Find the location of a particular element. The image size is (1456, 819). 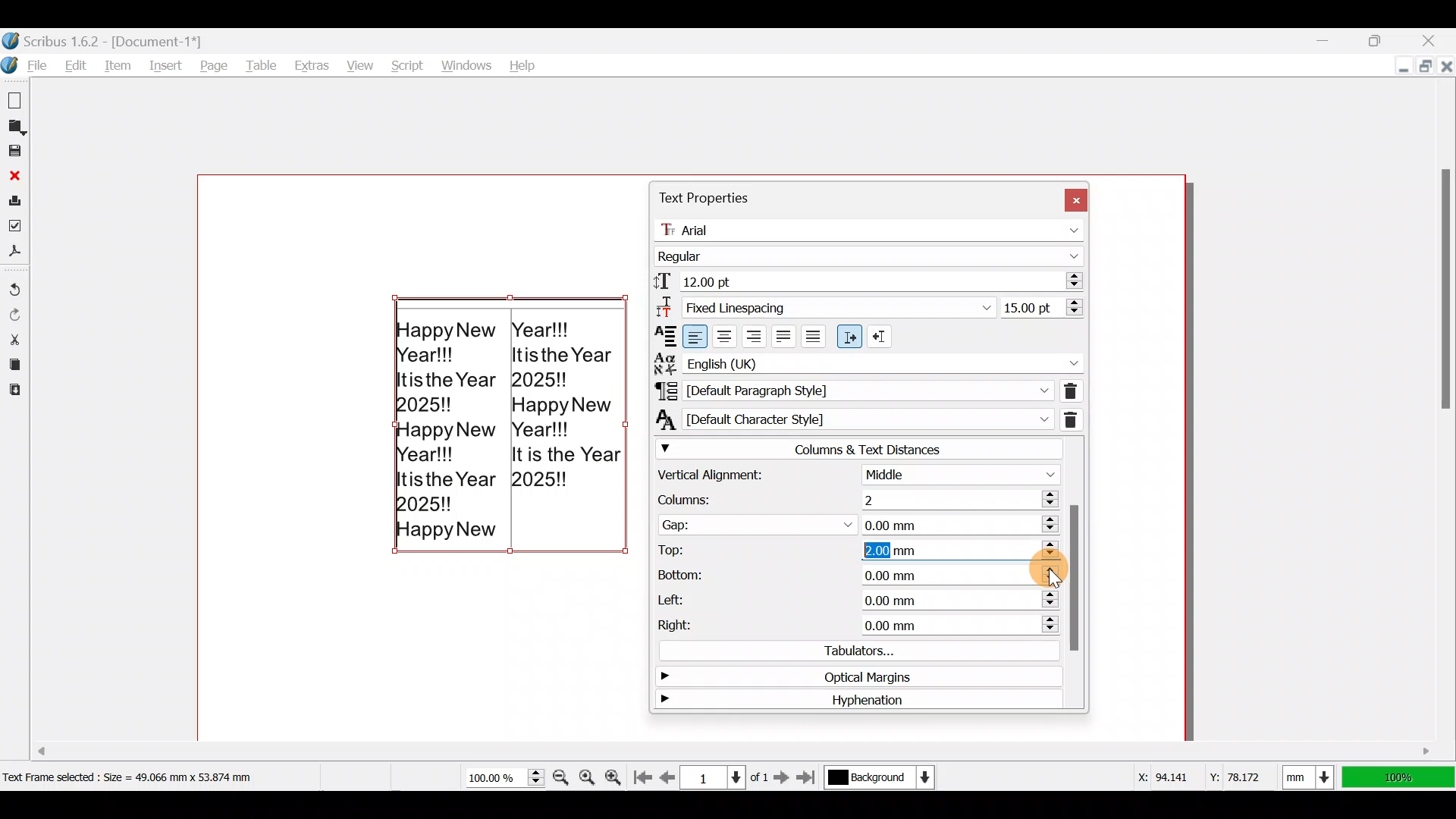

Line spacing is located at coordinates (1042, 306).